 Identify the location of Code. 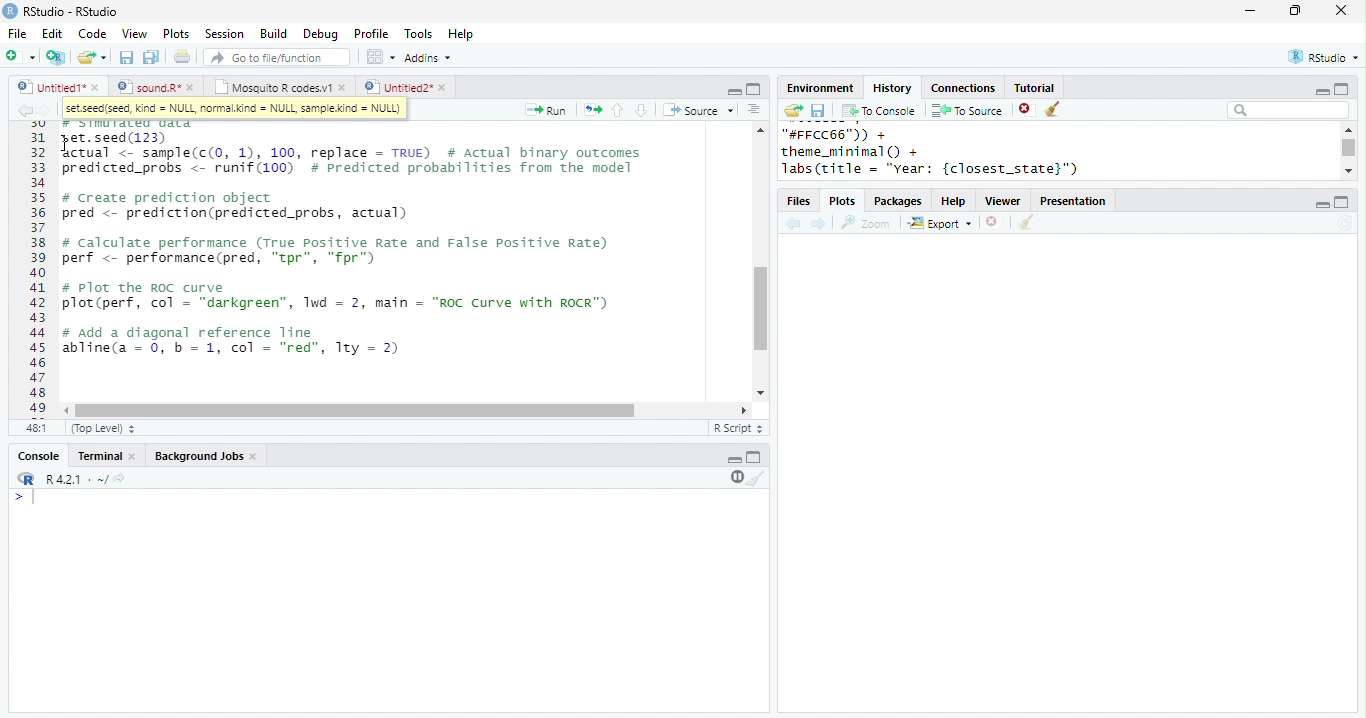
(92, 33).